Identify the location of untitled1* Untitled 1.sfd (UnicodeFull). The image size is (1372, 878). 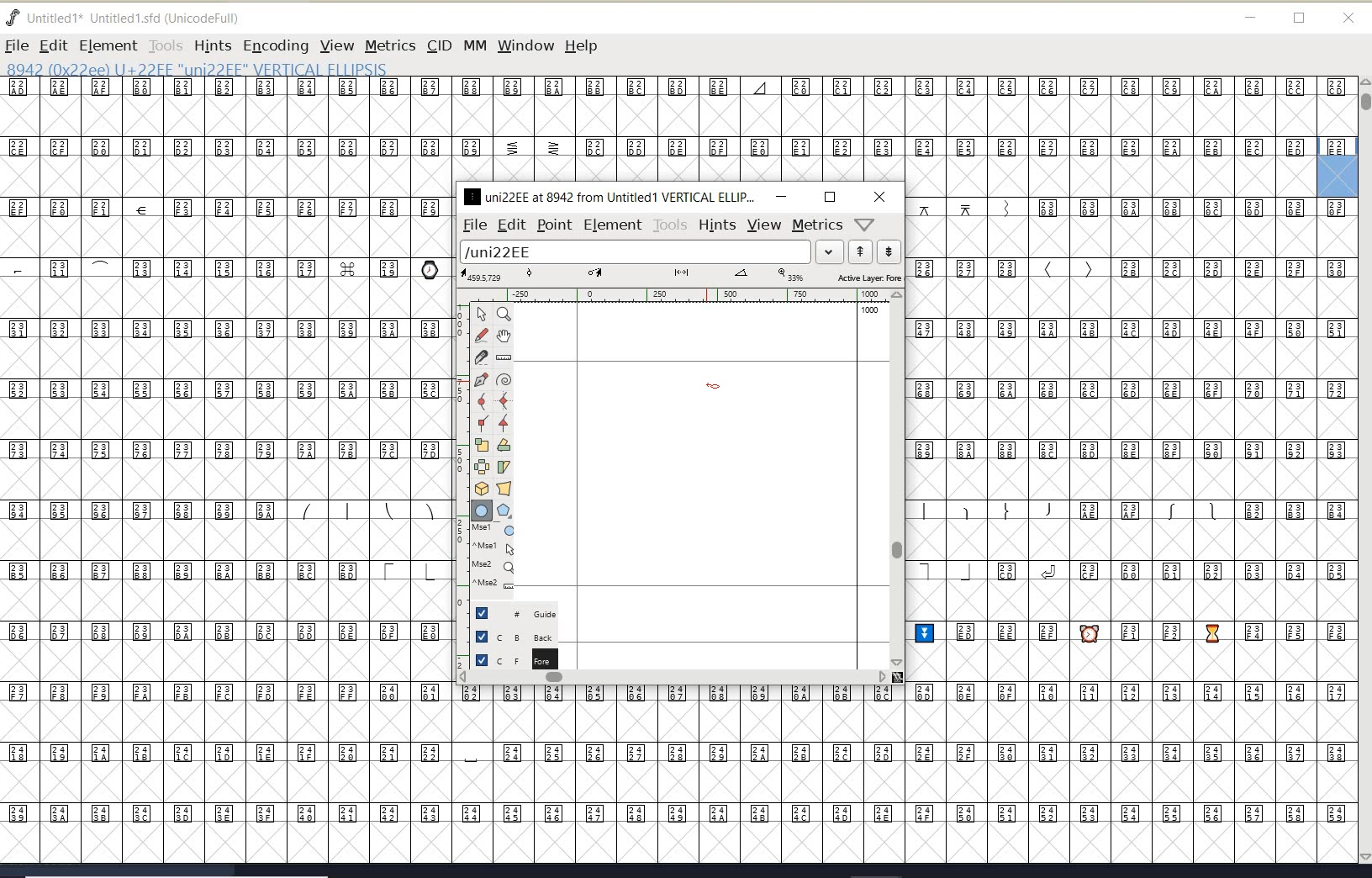
(141, 16).